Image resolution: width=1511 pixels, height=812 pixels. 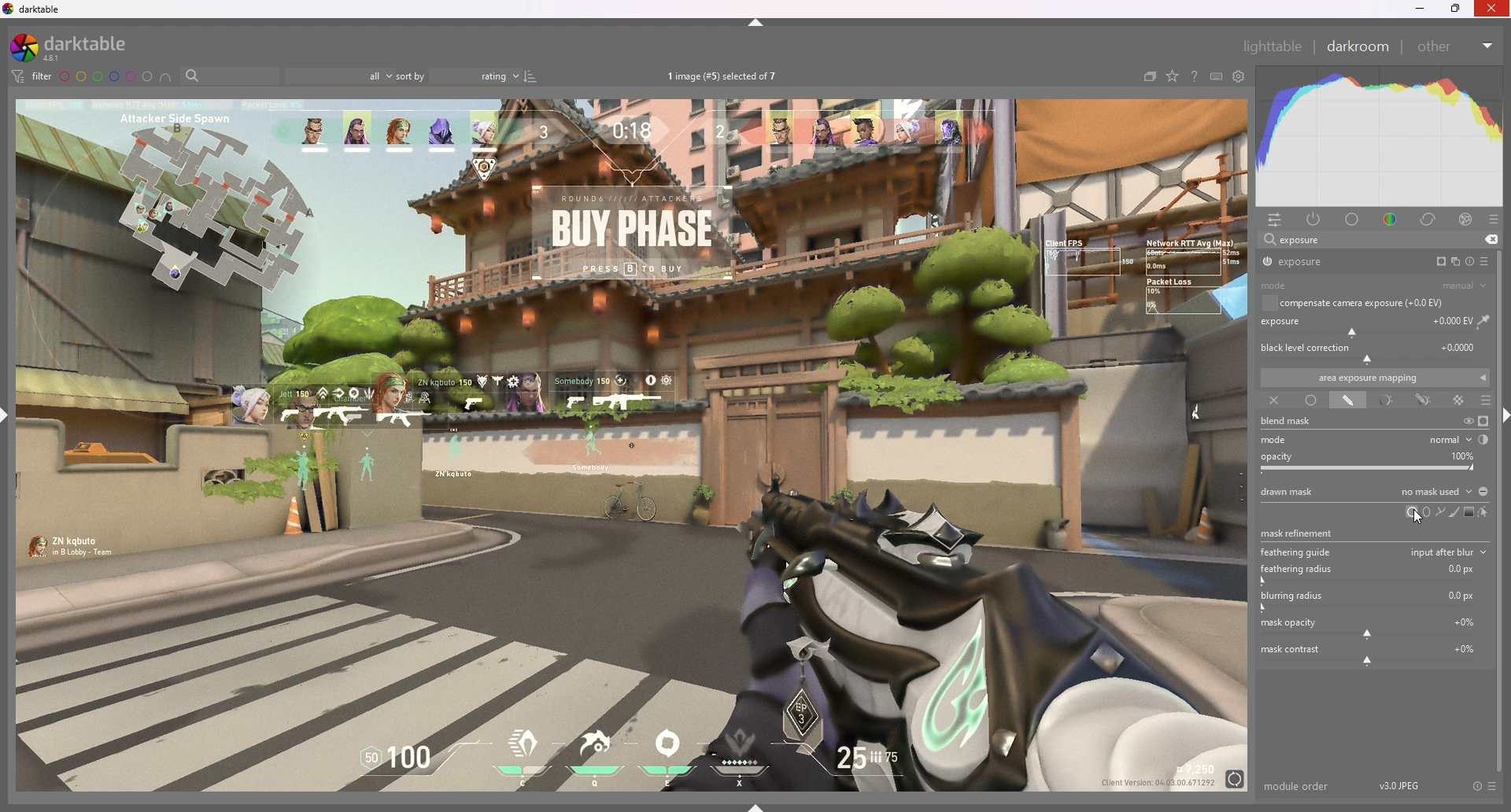 What do you see at coordinates (1347, 401) in the screenshot?
I see `drawn mask` at bounding box center [1347, 401].